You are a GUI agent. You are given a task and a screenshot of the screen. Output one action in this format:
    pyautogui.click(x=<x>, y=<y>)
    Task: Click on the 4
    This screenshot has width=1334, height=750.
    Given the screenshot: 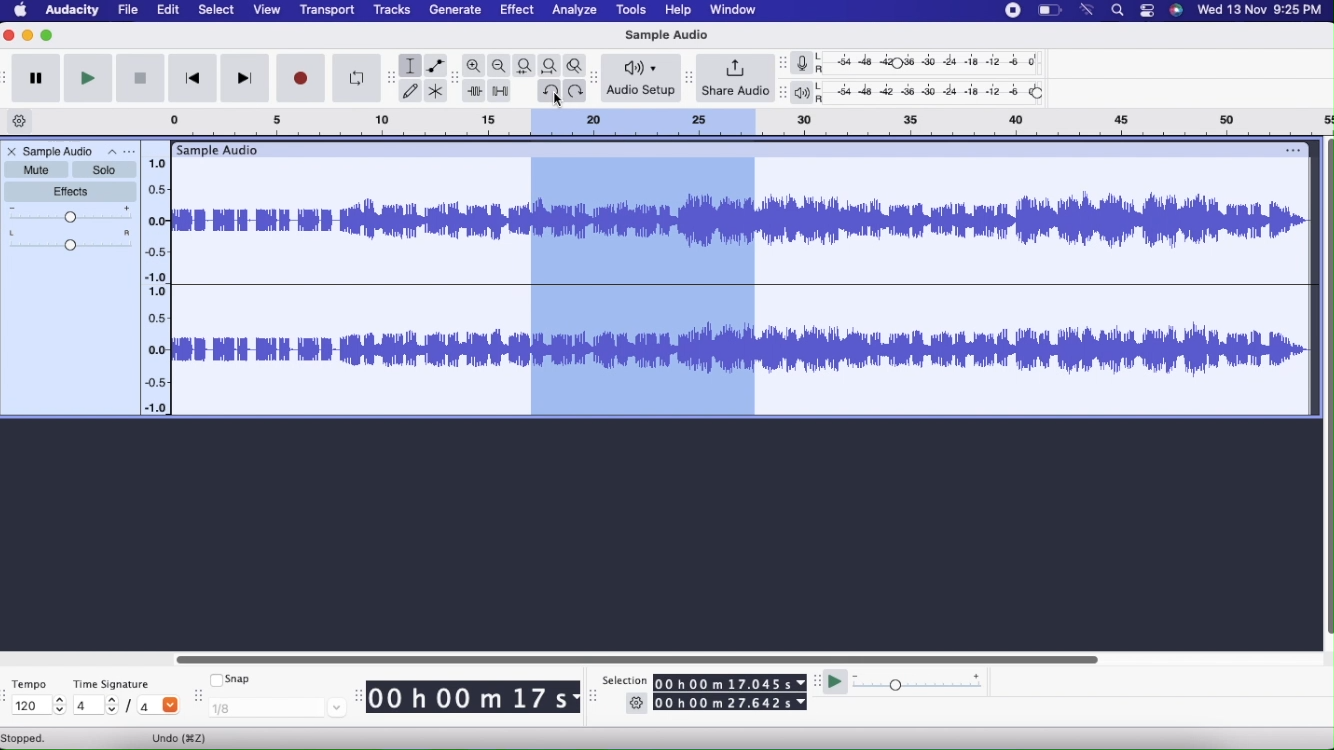 What is the action you would take?
    pyautogui.click(x=94, y=707)
    